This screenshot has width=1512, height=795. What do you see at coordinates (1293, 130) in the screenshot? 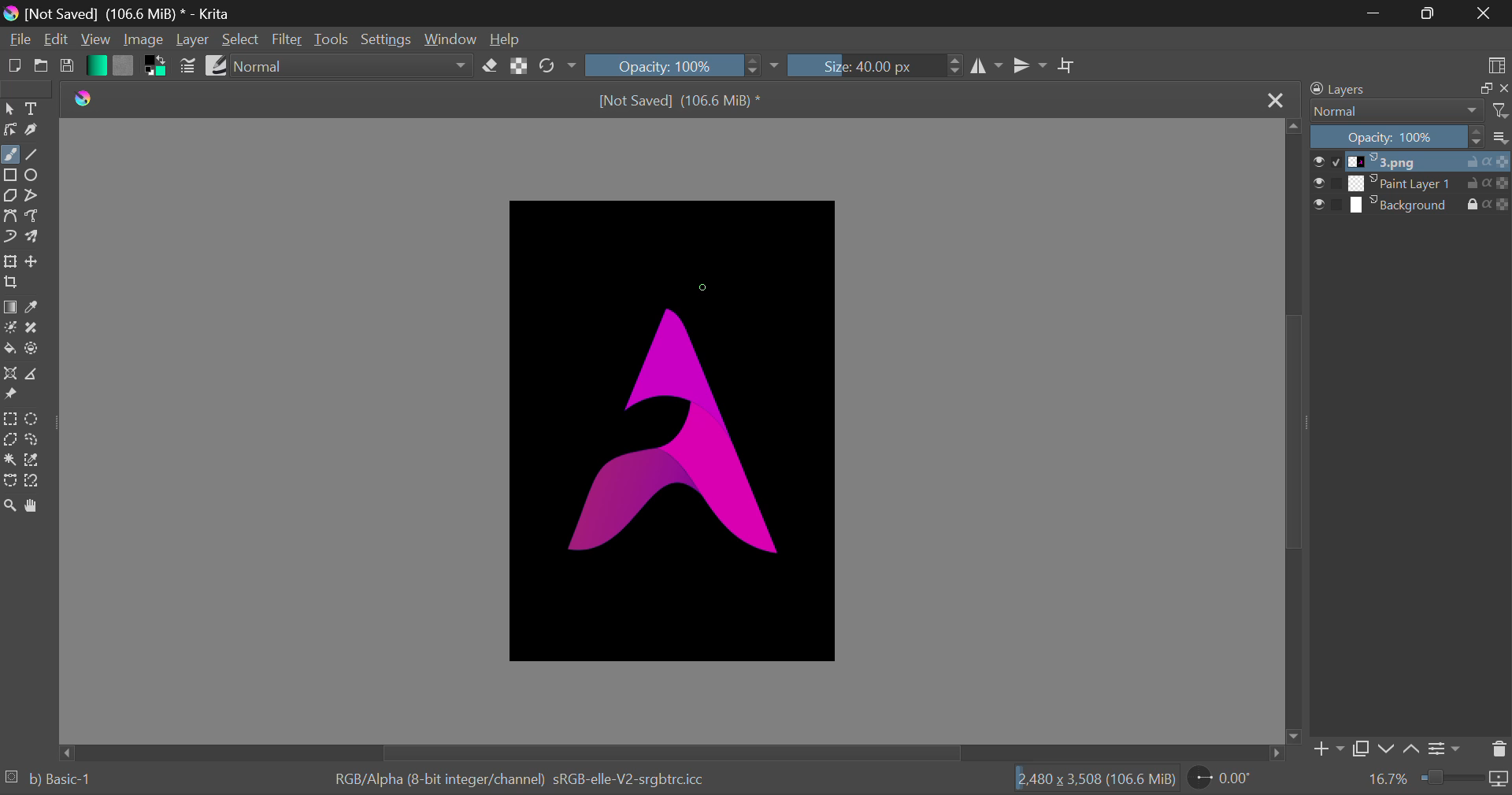
I see `move up` at bounding box center [1293, 130].